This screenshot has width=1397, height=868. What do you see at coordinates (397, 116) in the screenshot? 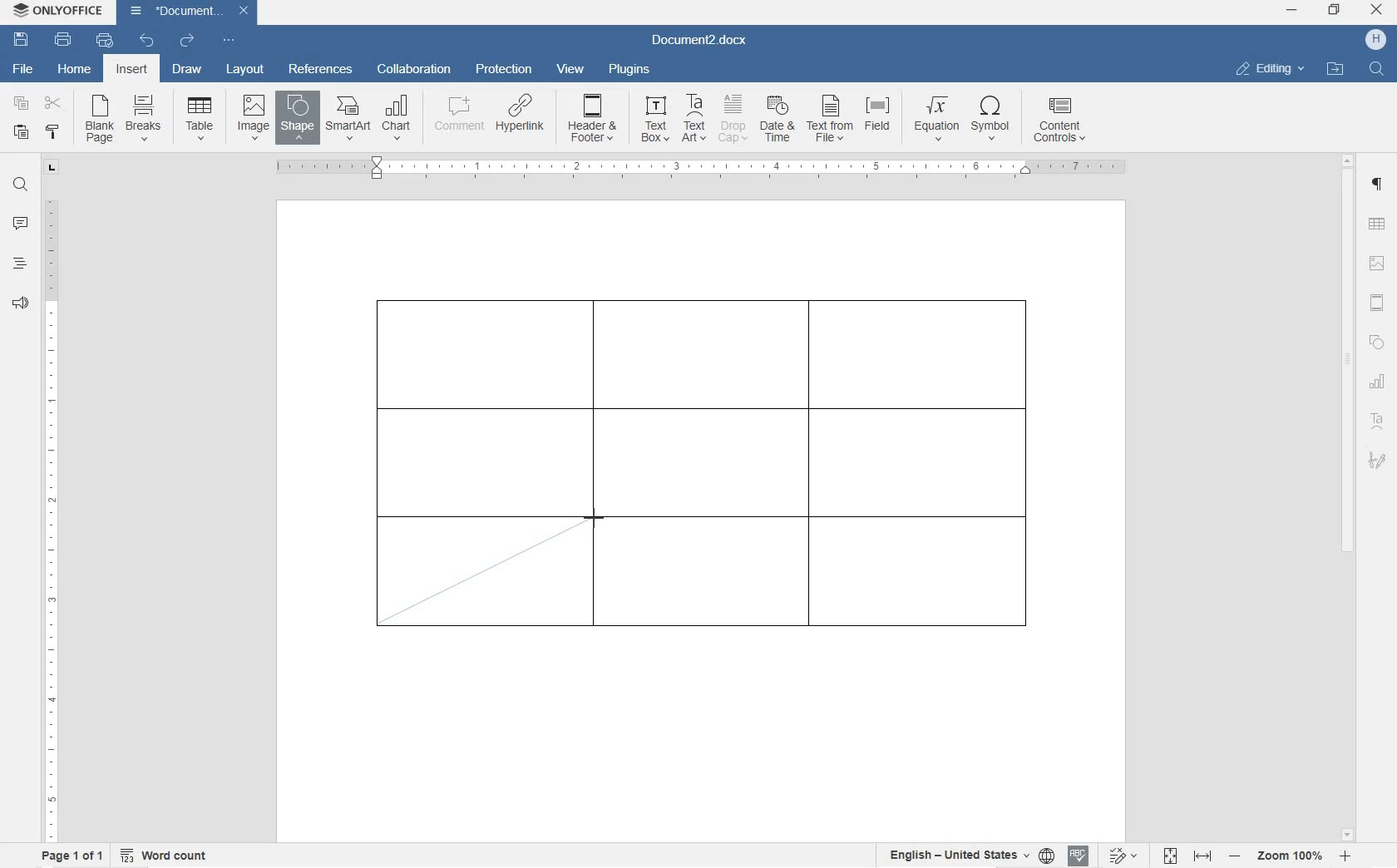
I see `CHART` at bounding box center [397, 116].